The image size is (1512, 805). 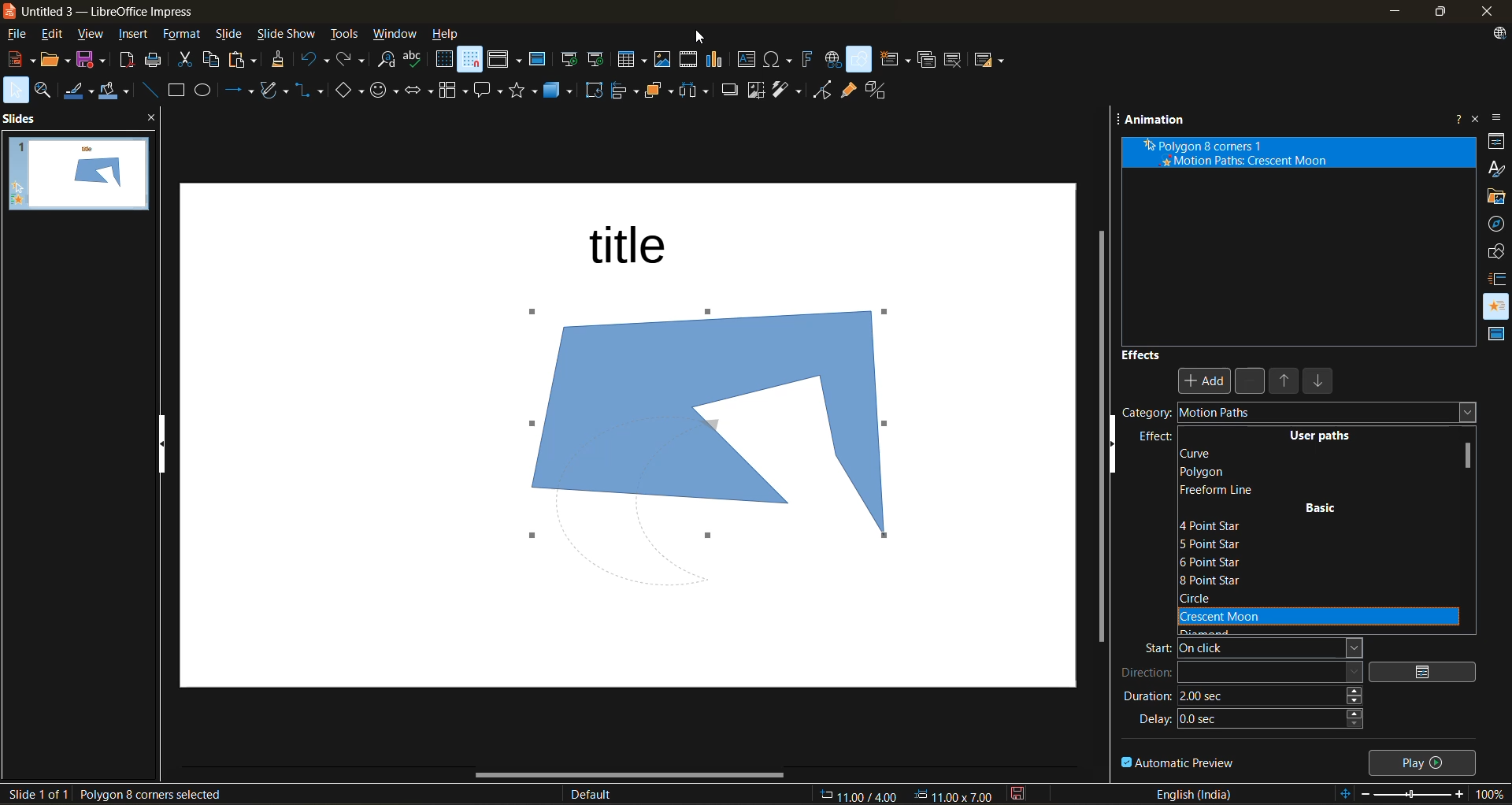 What do you see at coordinates (595, 92) in the screenshot?
I see `rotate` at bounding box center [595, 92].